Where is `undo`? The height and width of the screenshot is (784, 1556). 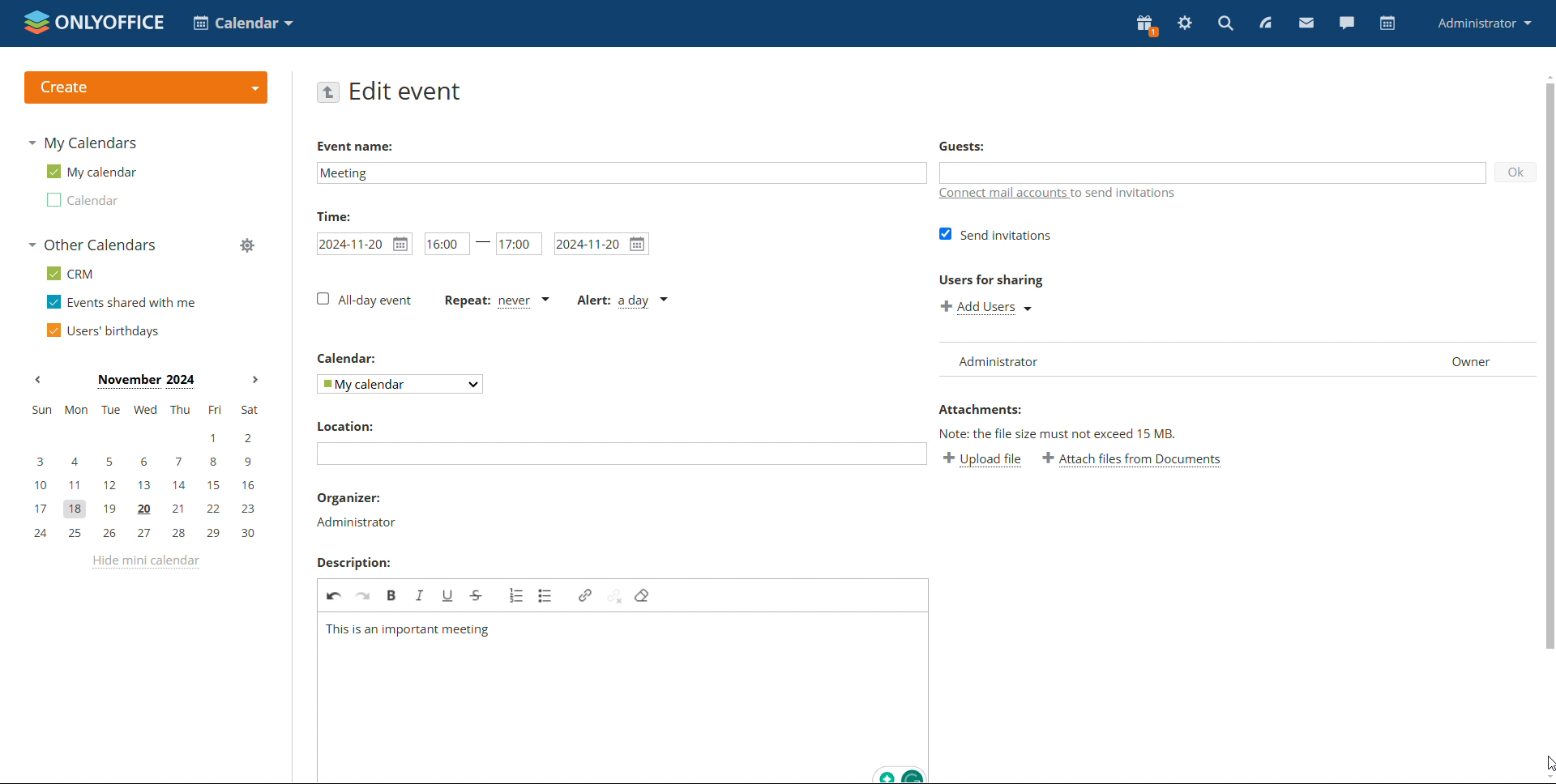
undo is located at coordinates (334, 596).